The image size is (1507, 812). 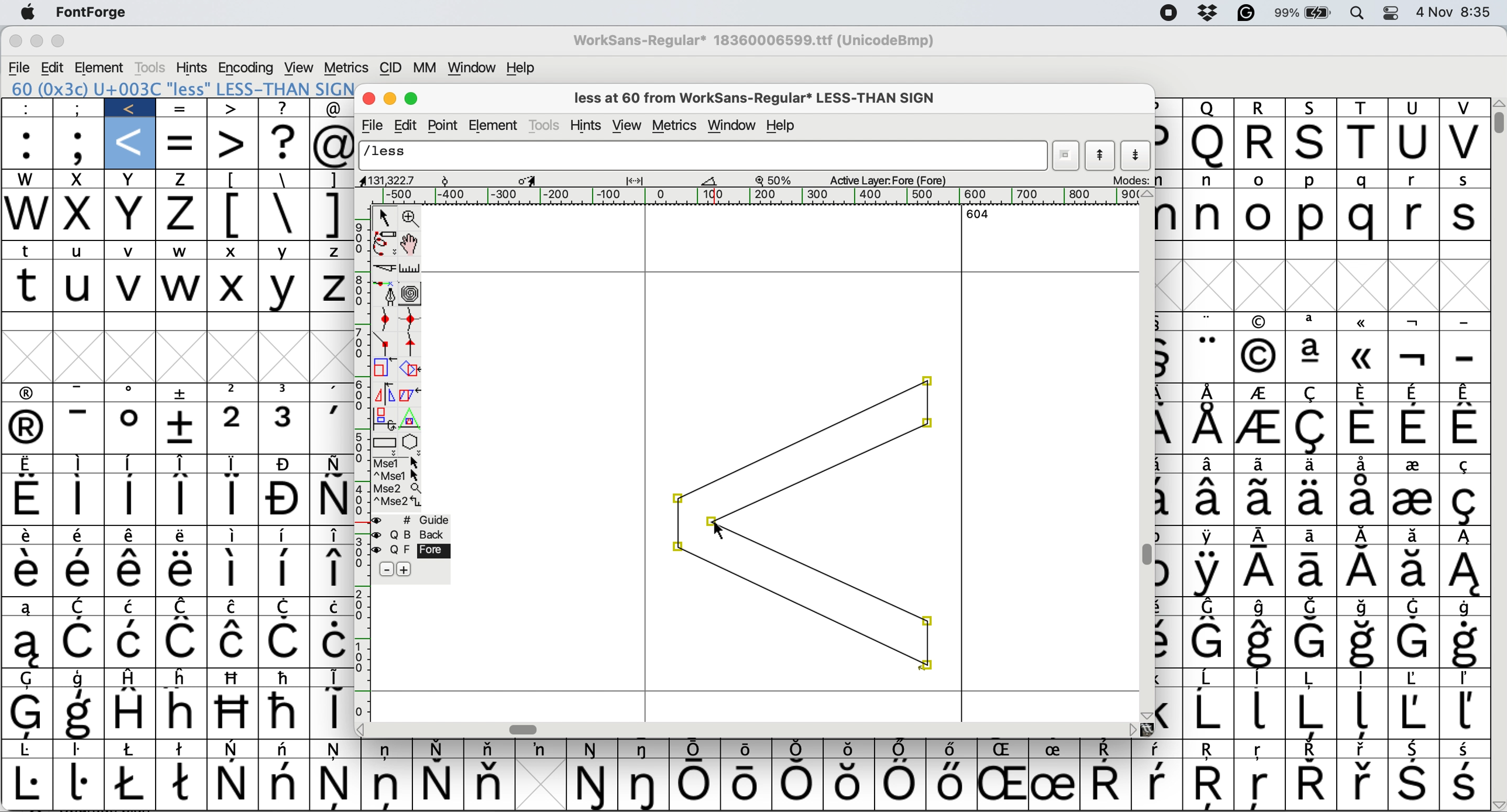 What do you see at coordinates (285, 783) in the screenshot?
I see `Symbol` at bounding box center [285, 783].